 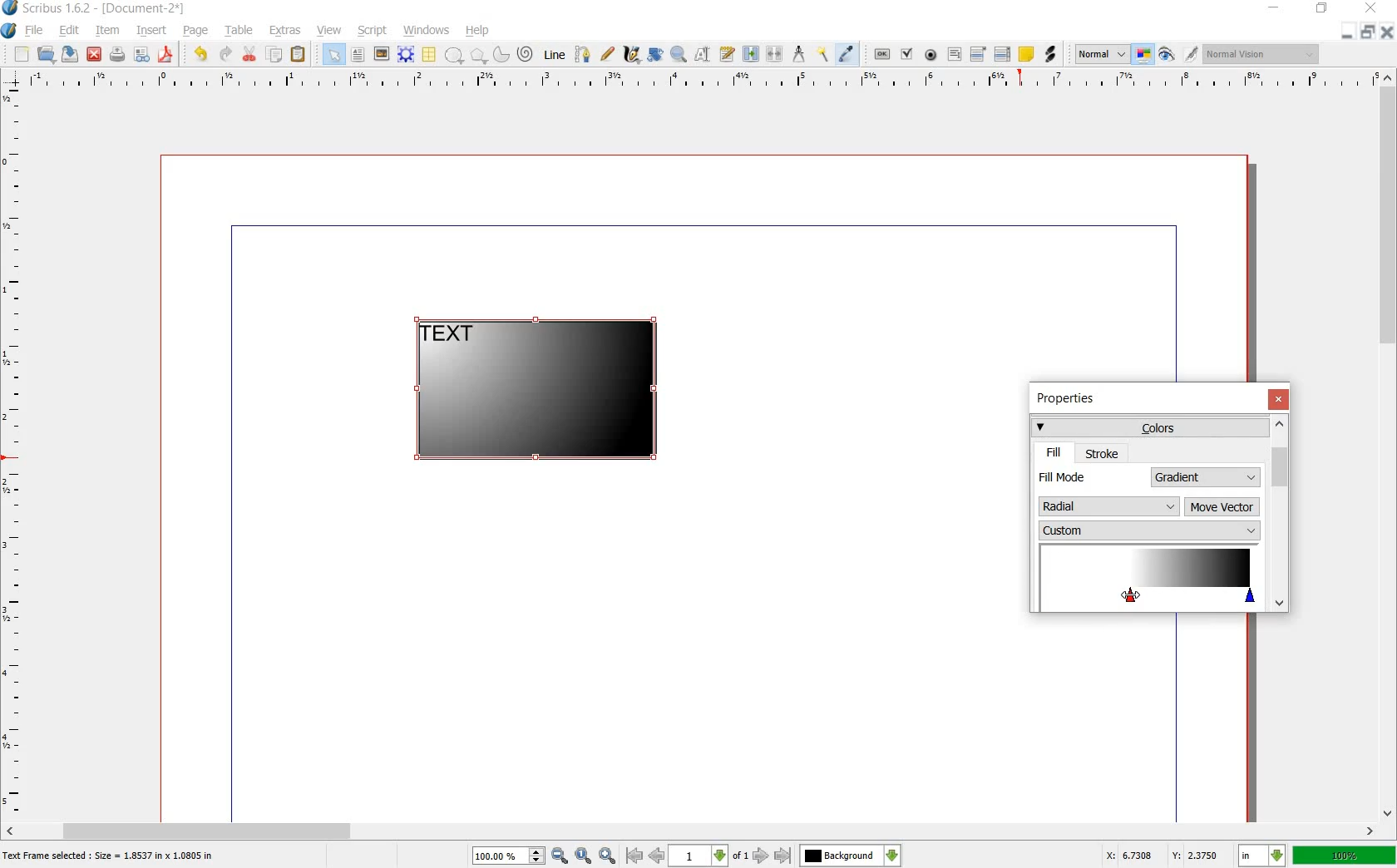 What do you see at coordinates (37, 31) in the screenshot?
I see `file` at bounding box center [37, 31].